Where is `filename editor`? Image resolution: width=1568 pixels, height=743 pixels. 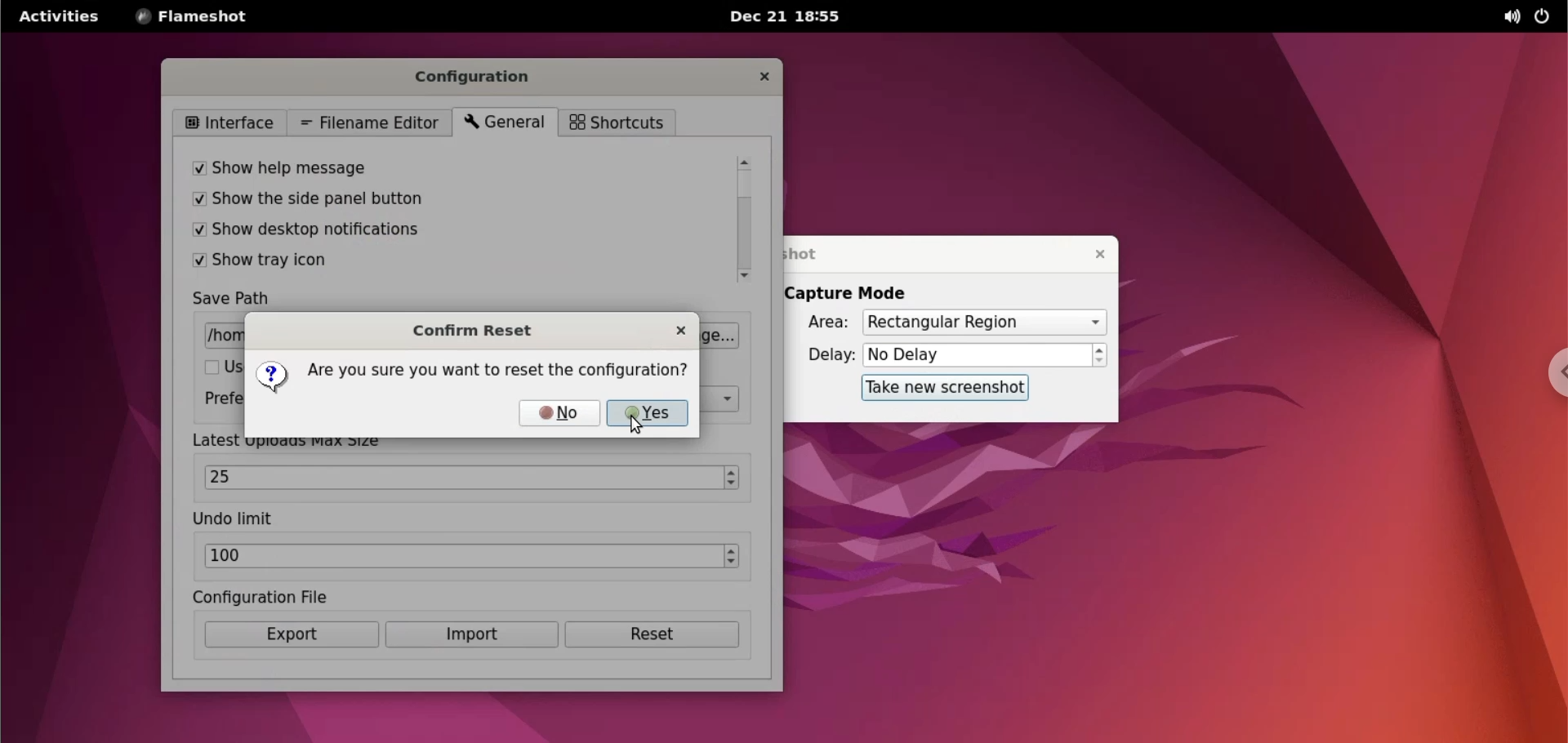 filename editor is located at coordinates (371, 122).